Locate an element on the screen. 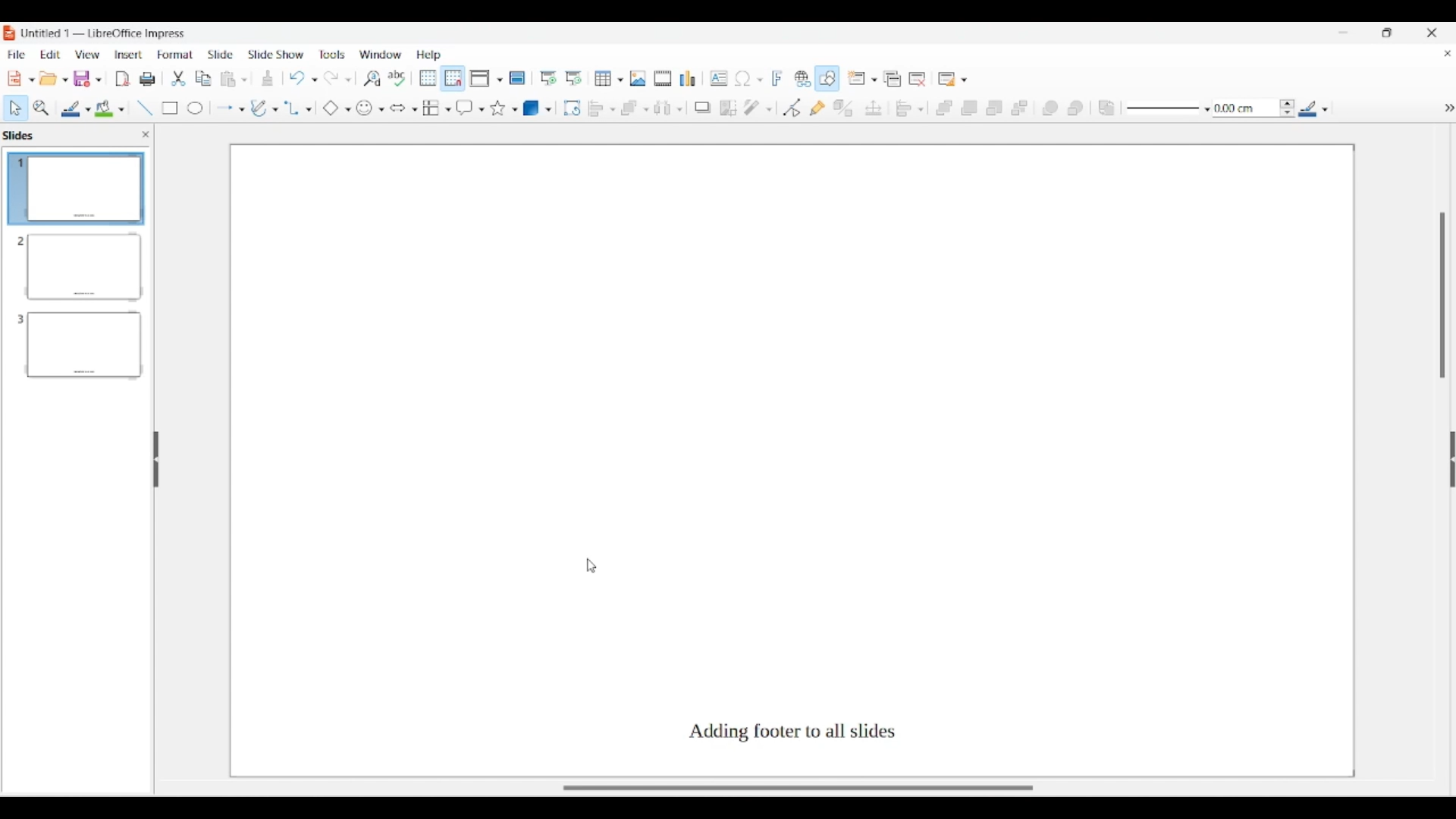 The height and width of the screenshot is (819, 1456). Insert audio/video is located at coordinates (663, 78).